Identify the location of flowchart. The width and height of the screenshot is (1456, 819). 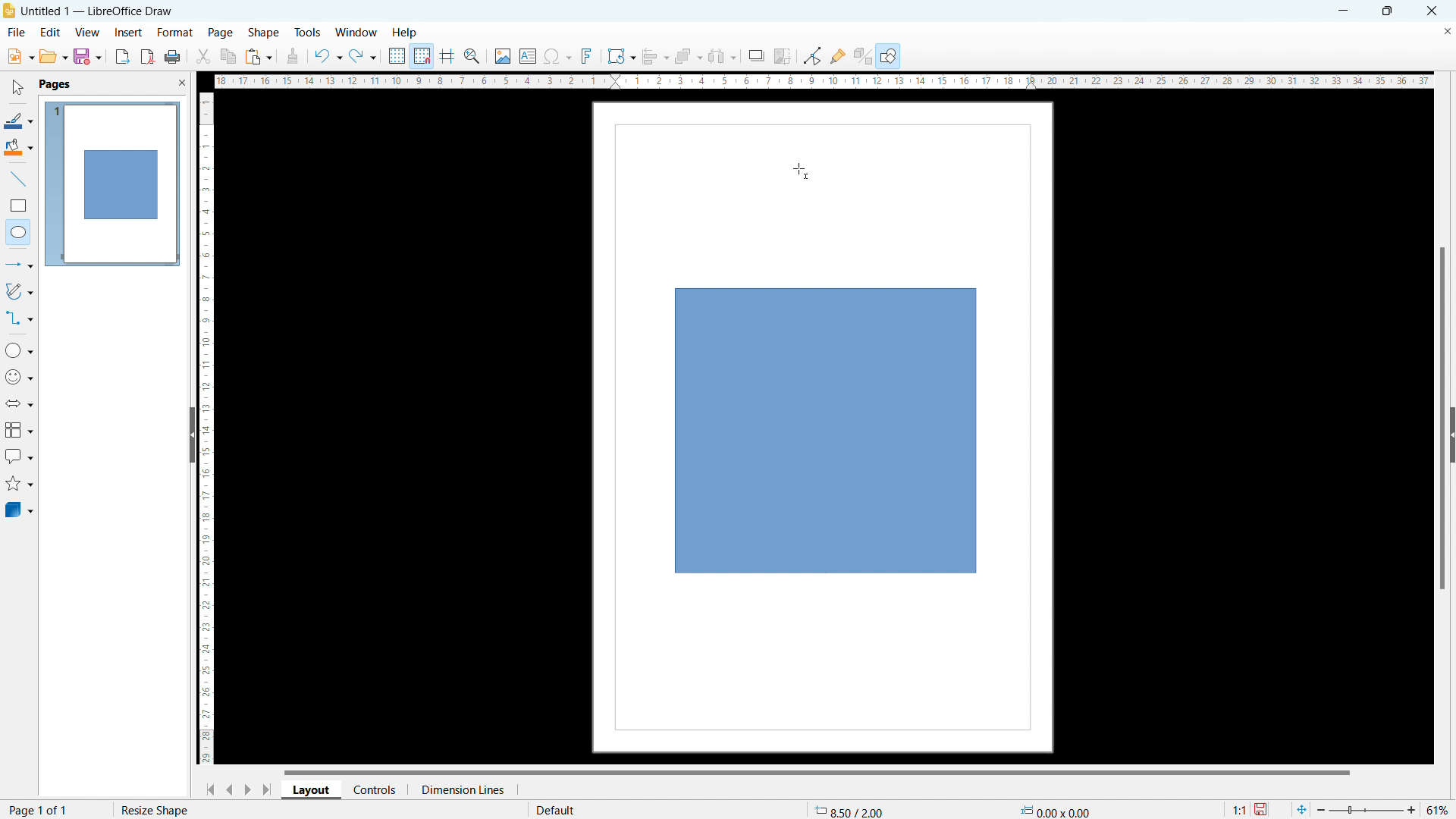
(20, 430).